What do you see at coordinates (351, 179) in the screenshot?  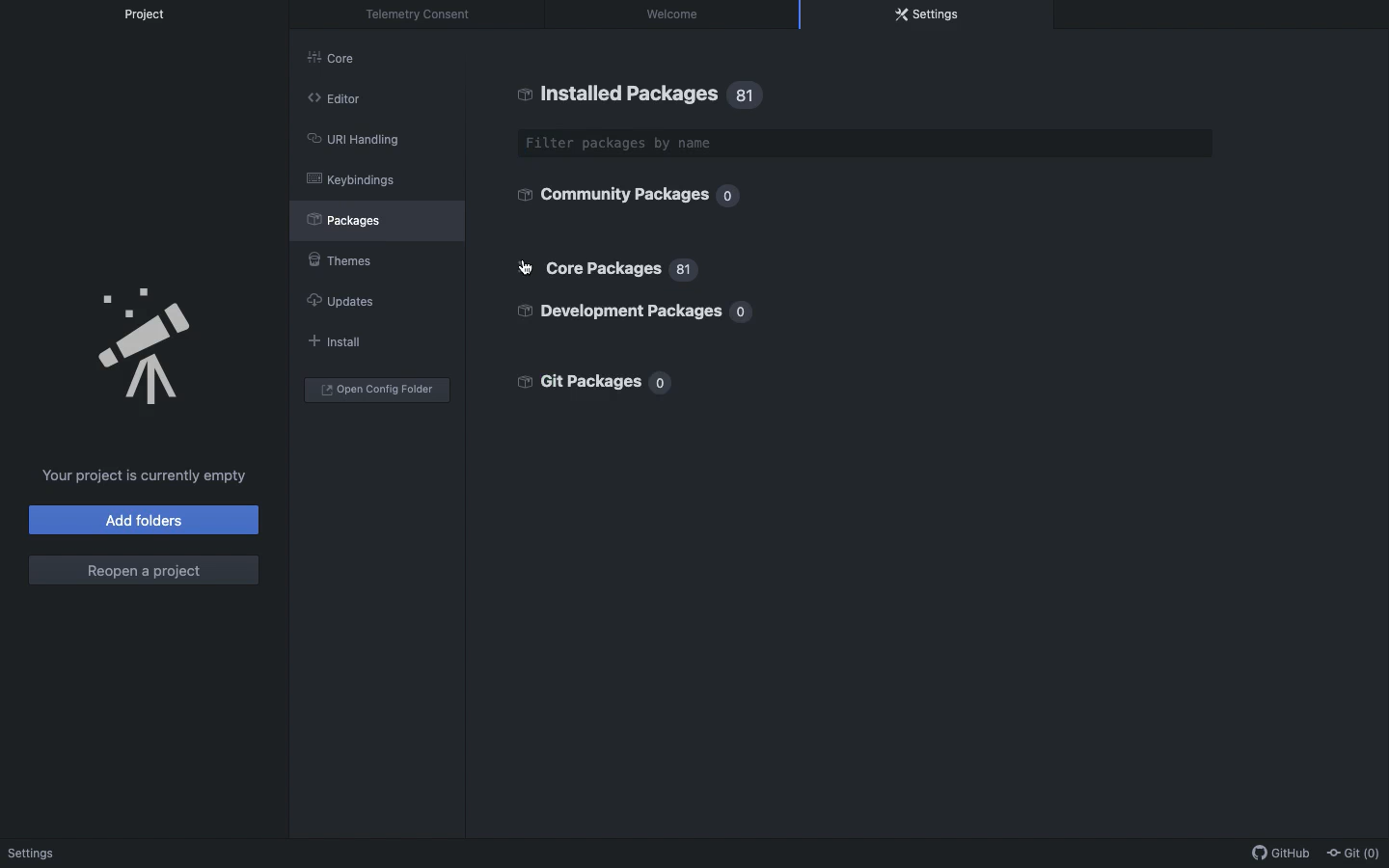 I see `Keybindings` at bounding box center [351, 179].